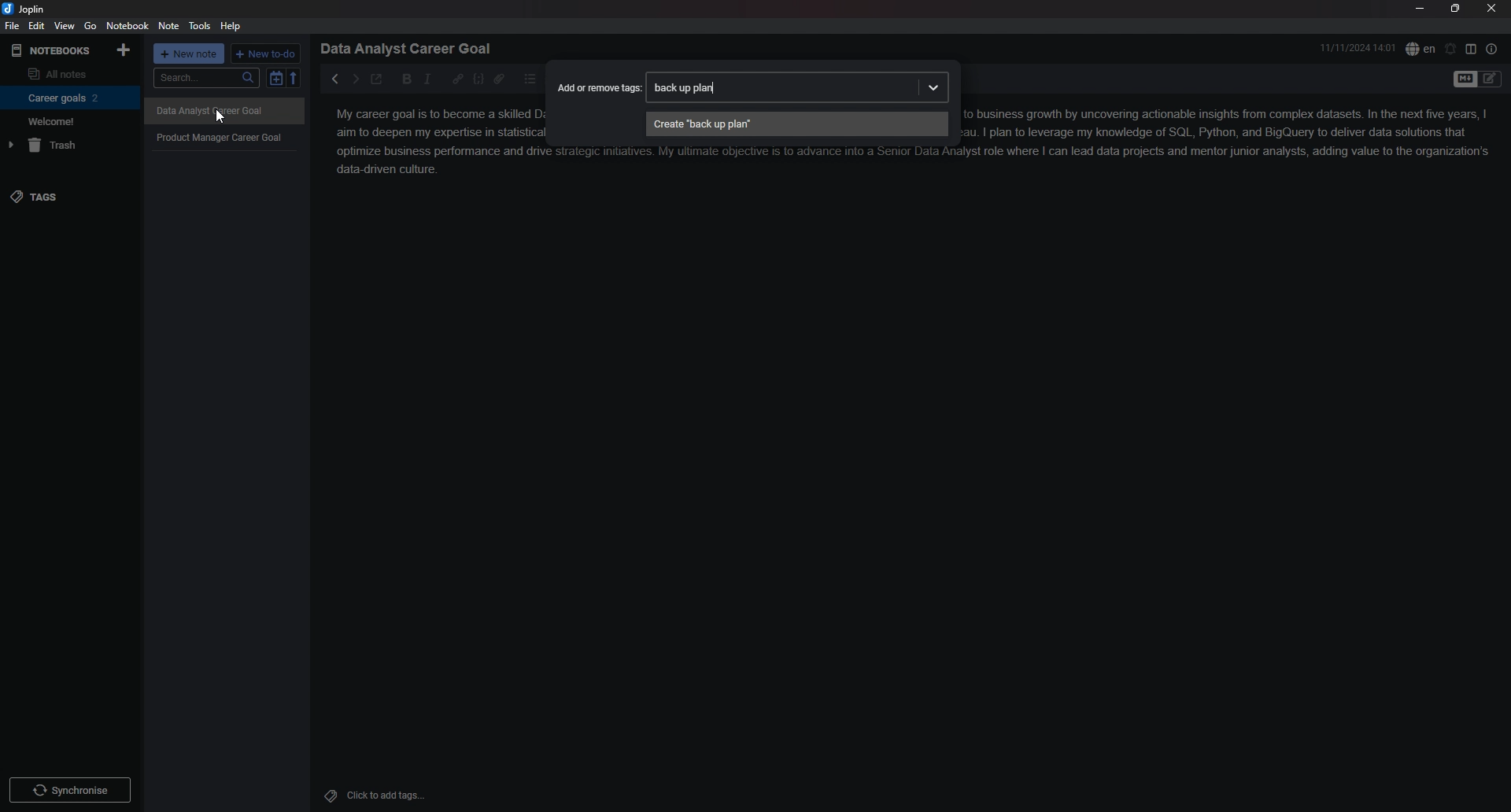 Image resolution: width=1511 pixels, height=812 pixels. Describe the element at coordinates (224, 112) in the screenshot. I see `Data Analyst Career Goal` at that location.